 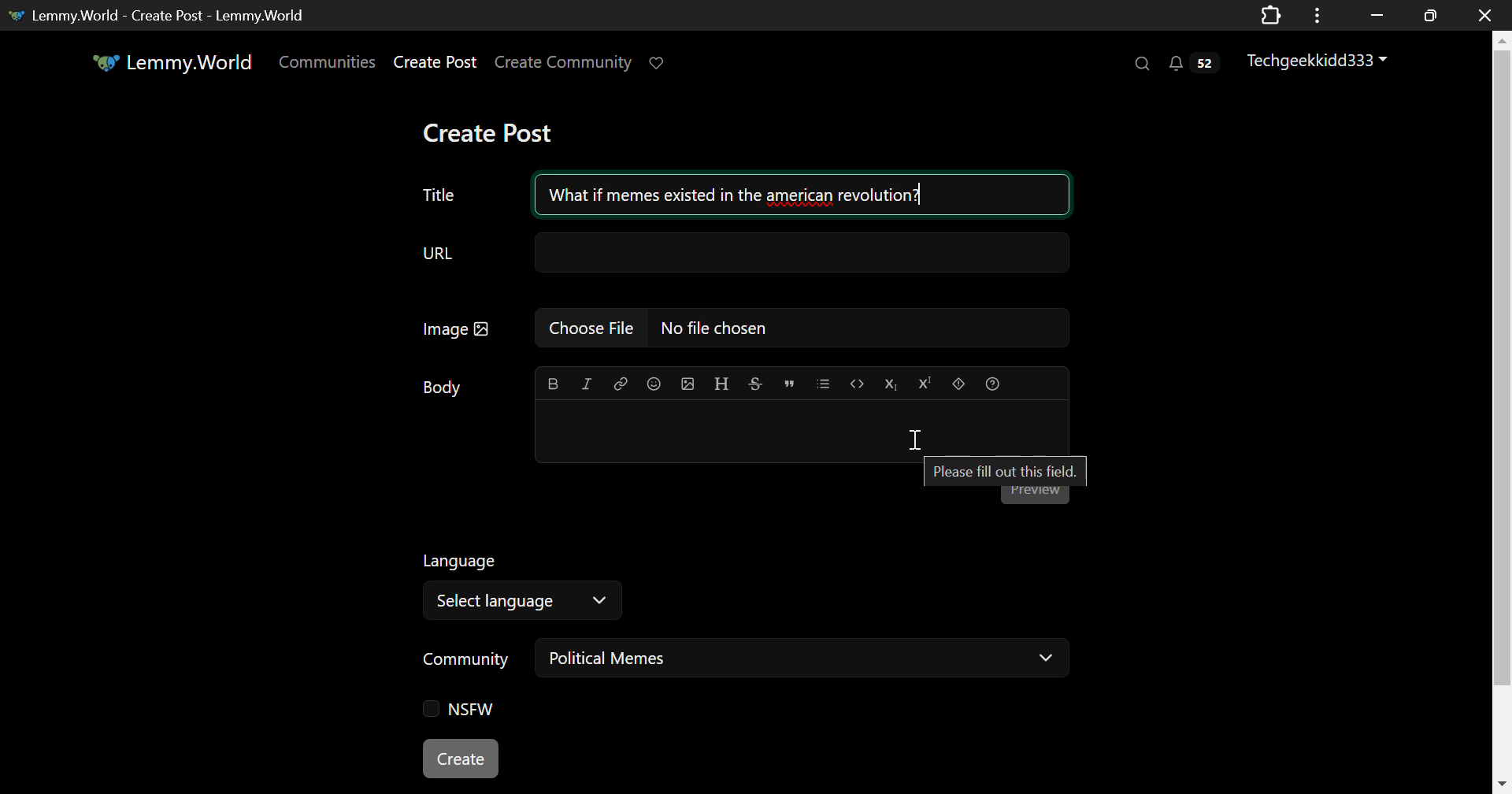 What do you see at coordinates (660, 61) in the screenshot?
I see `Donate to Lemmy` at bounding box center [660, 61].